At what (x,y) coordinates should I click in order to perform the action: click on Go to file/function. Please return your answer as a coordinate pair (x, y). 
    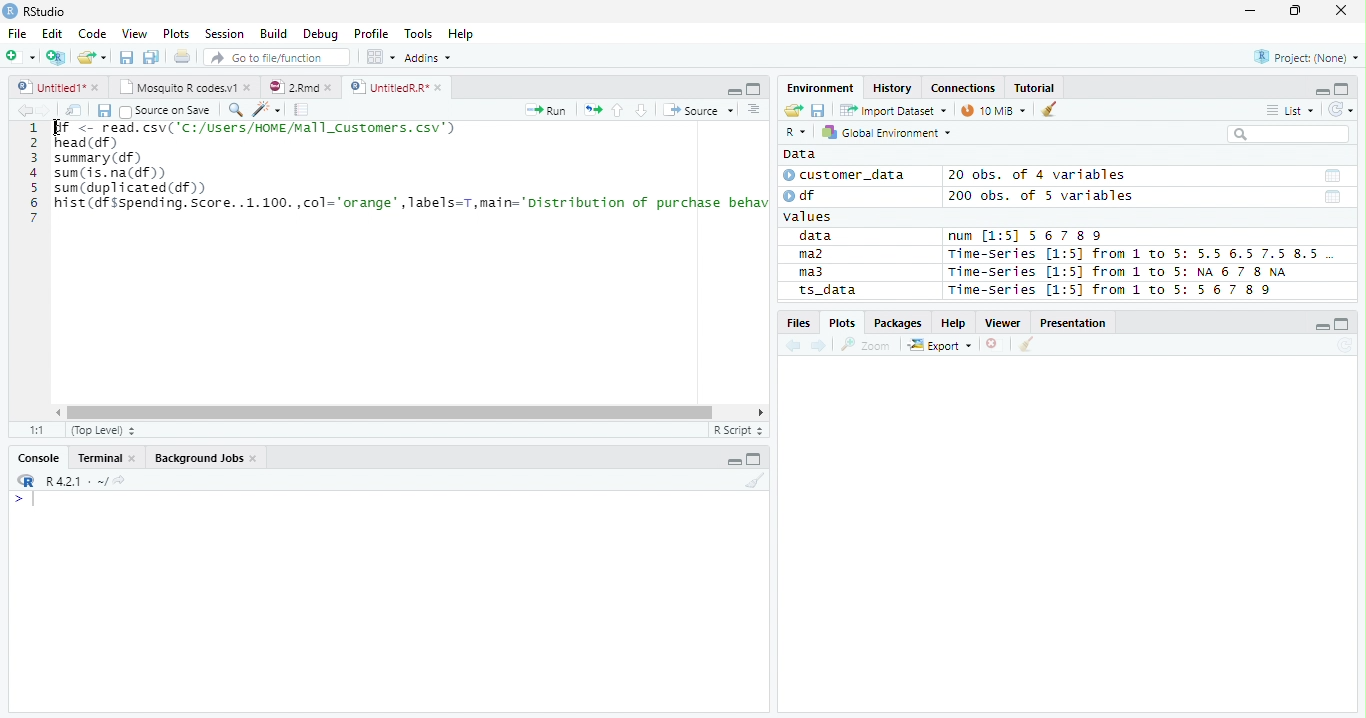
    Looking at the image, I should click on (274, 58).